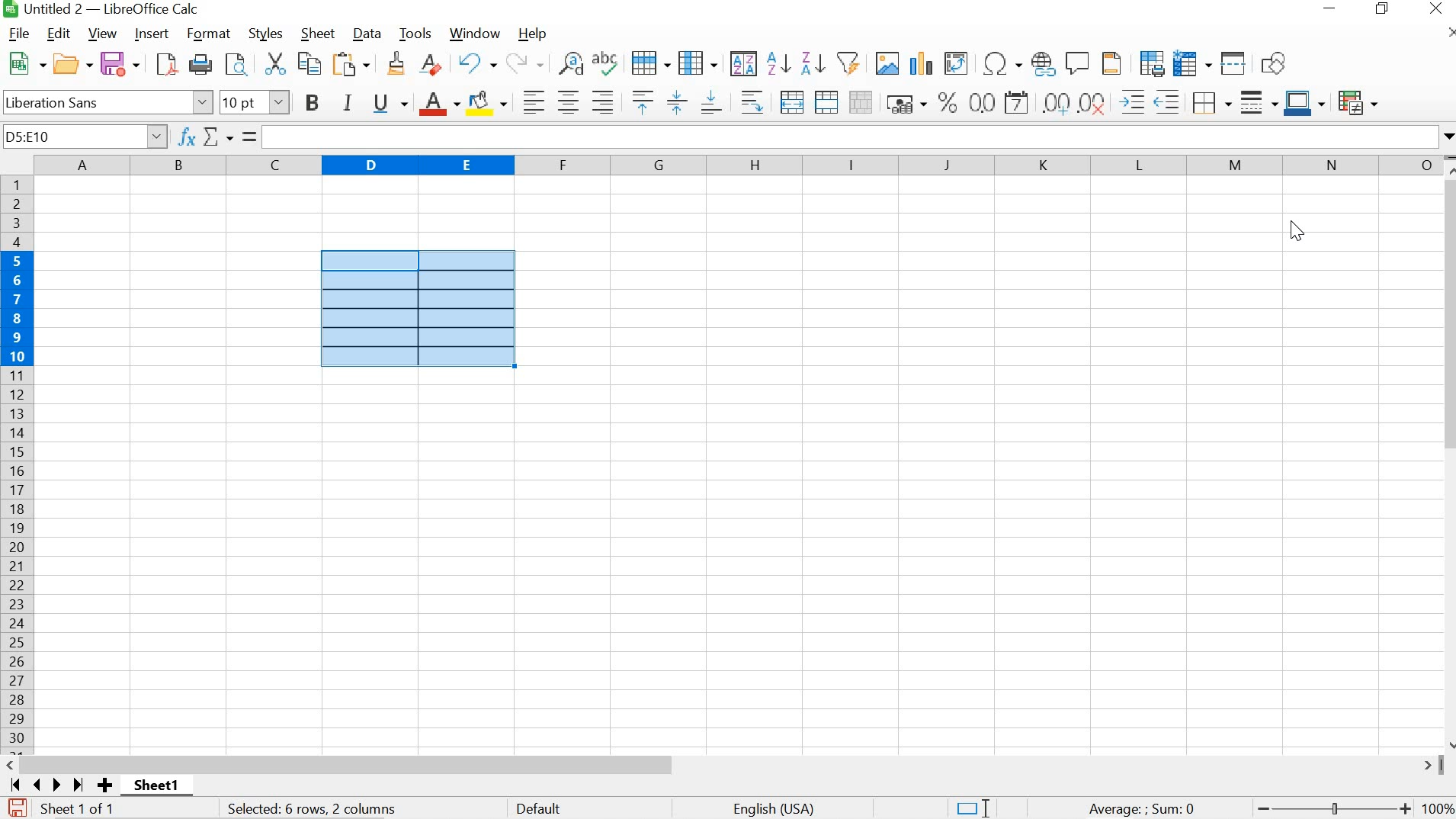 The height and width of the screenshot is (819, 1456). What do you see at coordinates (309, 101) in the screenshot?
I see `BOLD` at bounding box center [309, 101].